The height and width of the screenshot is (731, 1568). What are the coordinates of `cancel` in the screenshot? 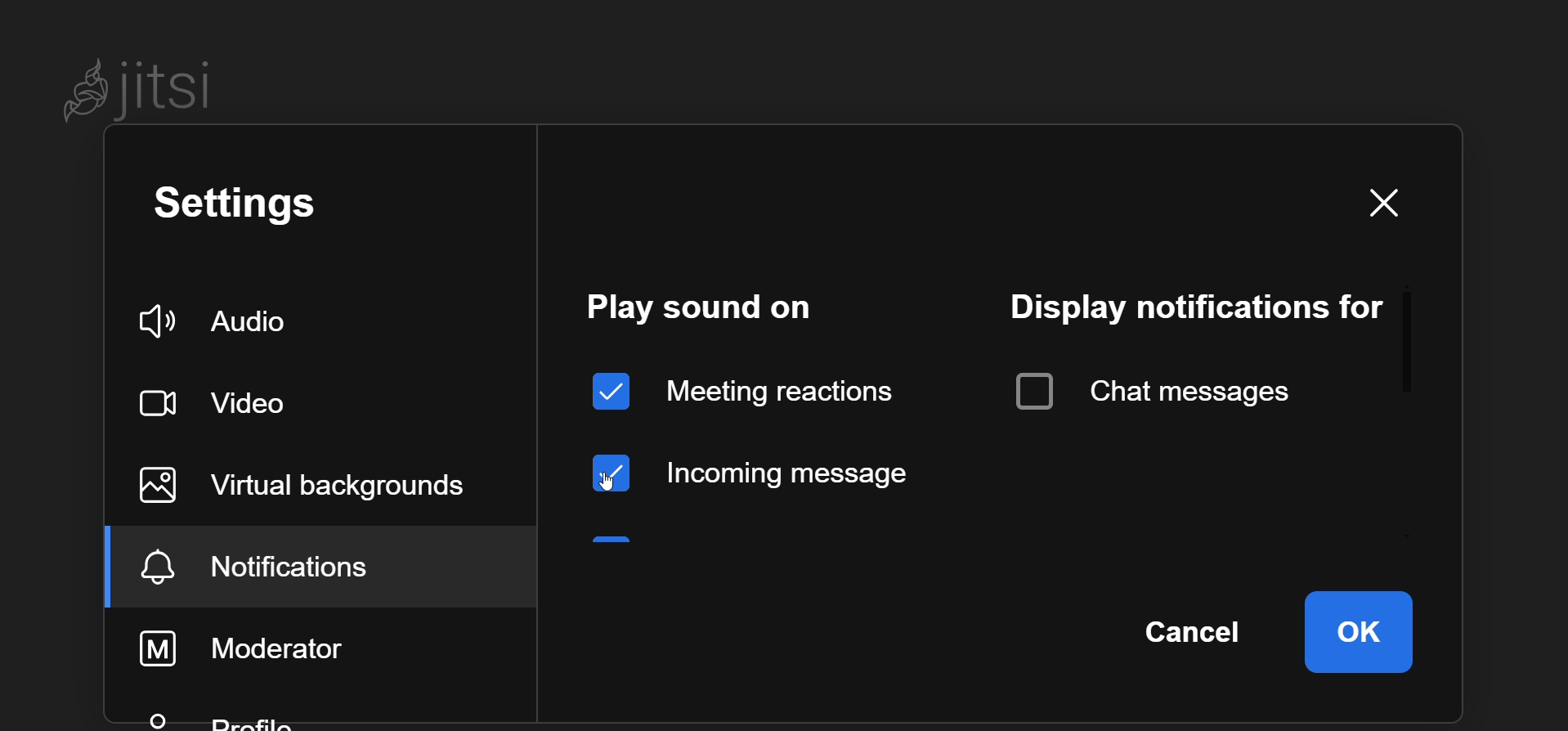 It's located at (1198, 629).